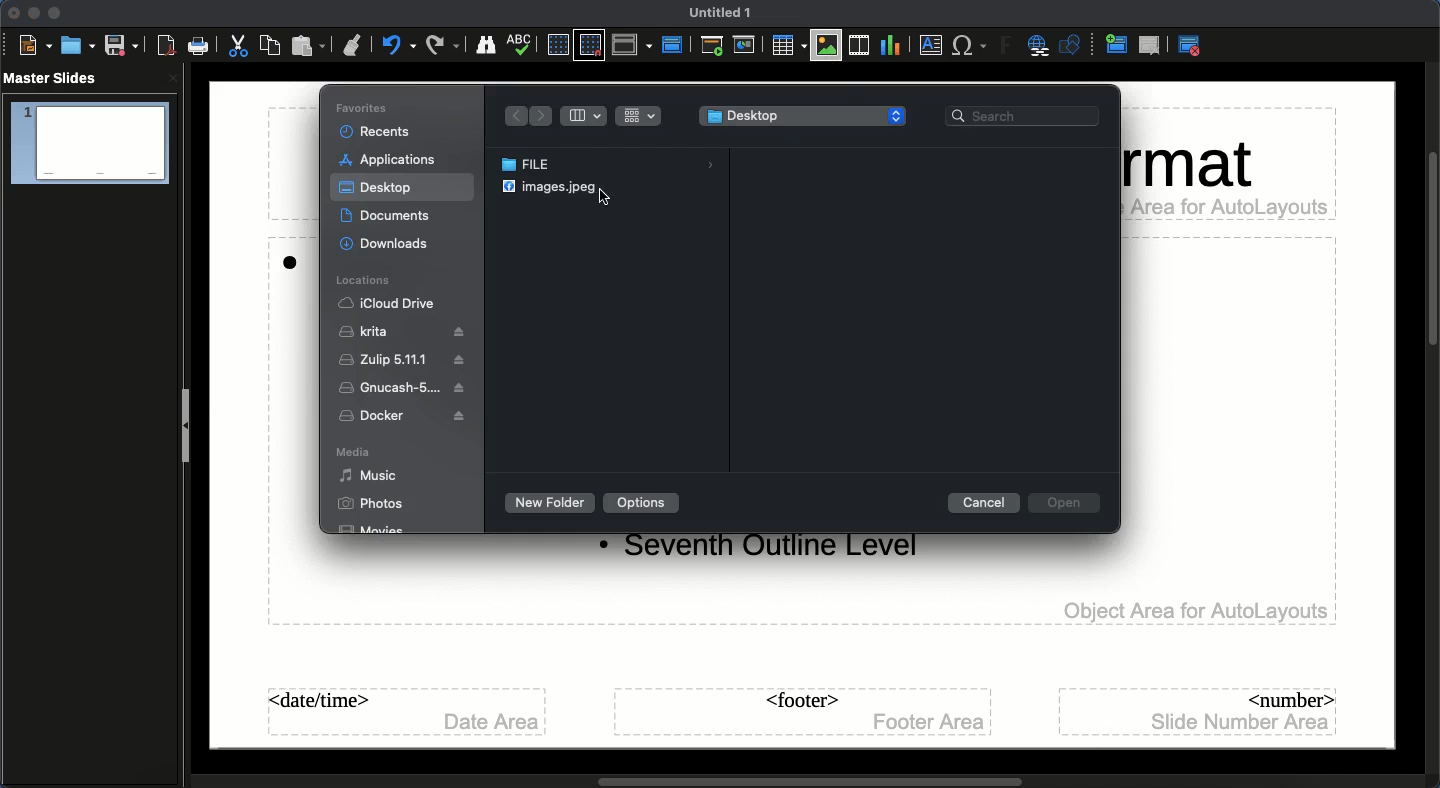  What do you see at coordinates (1074, 45) in the screenshot?
I see `Shapres` at bounding box center [1074, 45].